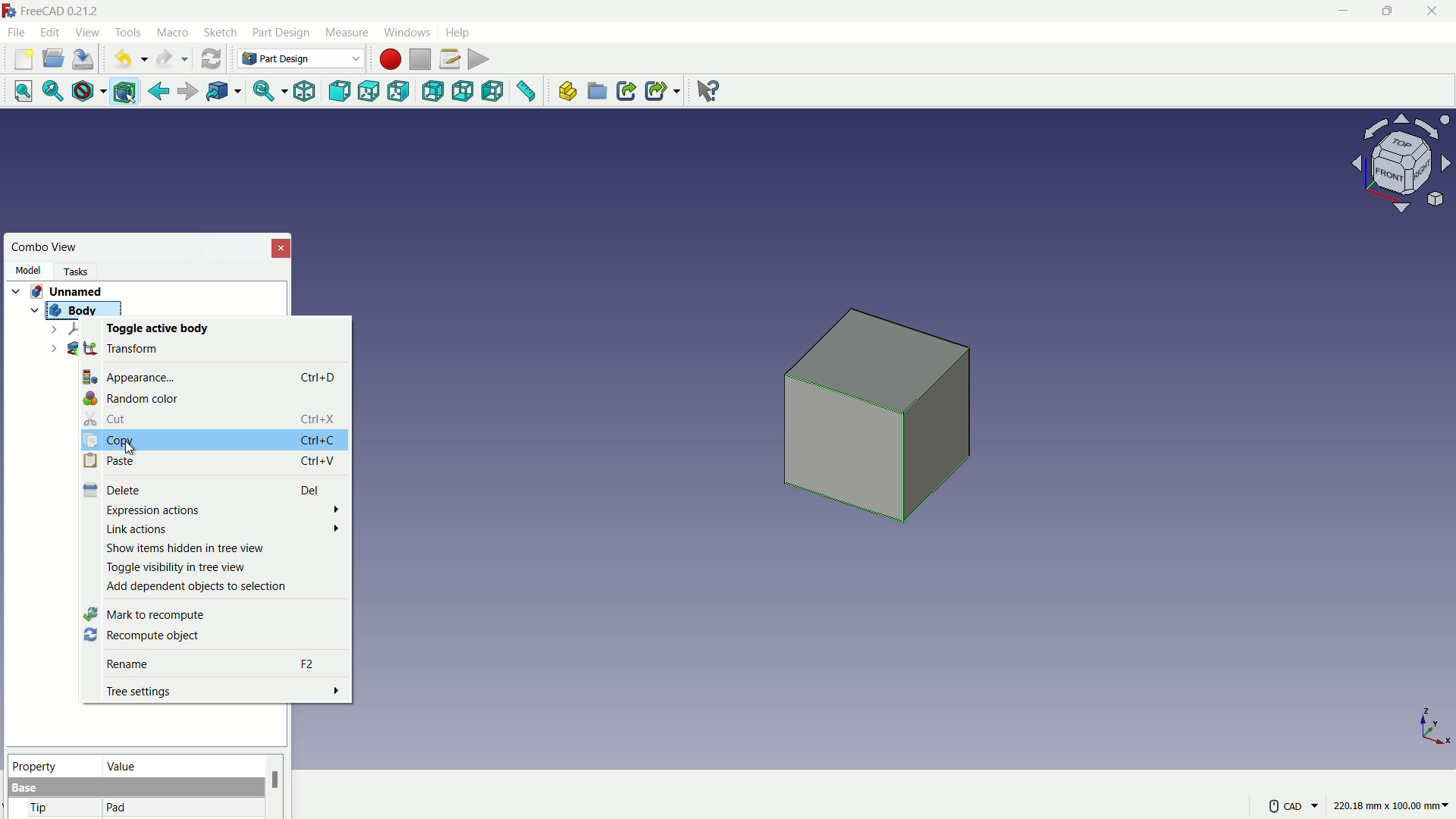 The image size is (1456, 819). Describe the element at coordinates (1385, 11) in the screenshot. I see `maximize or restore` at that location.